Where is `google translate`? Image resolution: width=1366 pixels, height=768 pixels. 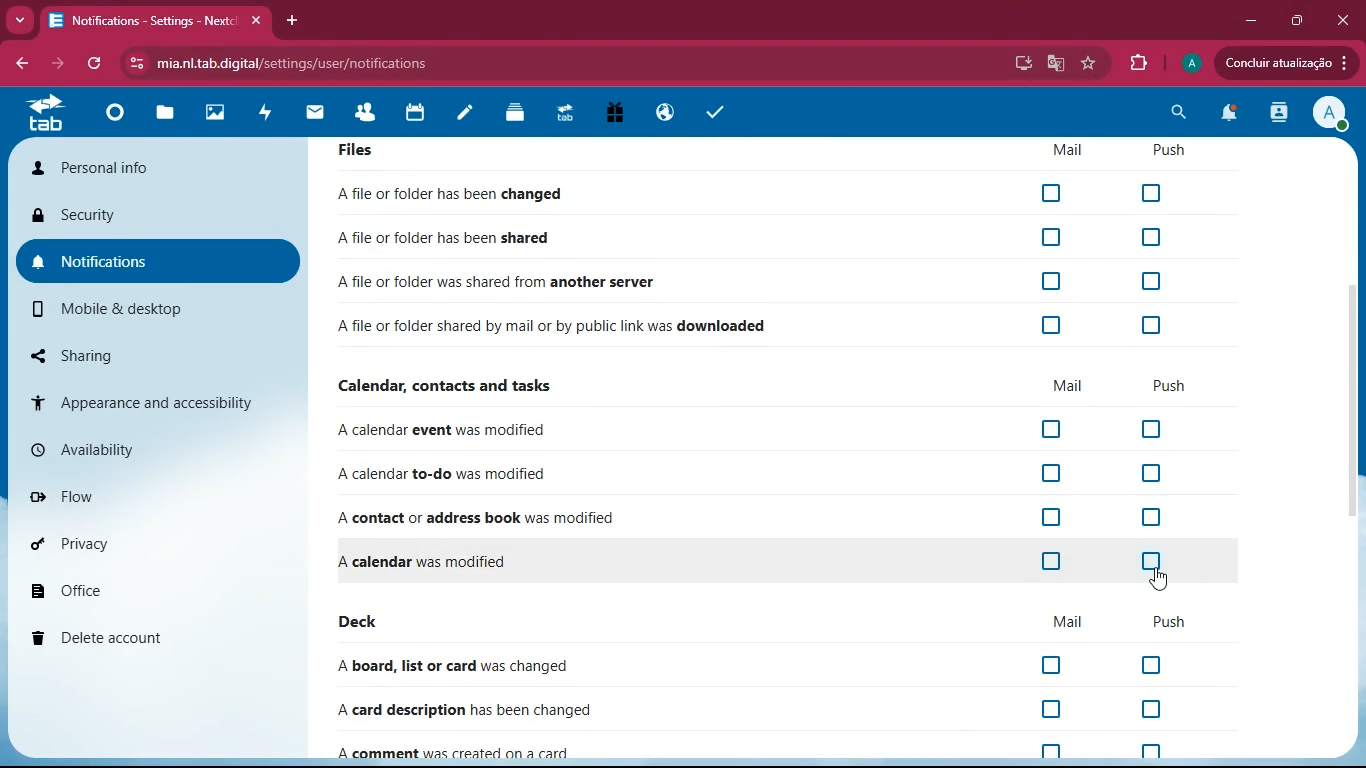 google translate is located at coordinates (1055, 63).